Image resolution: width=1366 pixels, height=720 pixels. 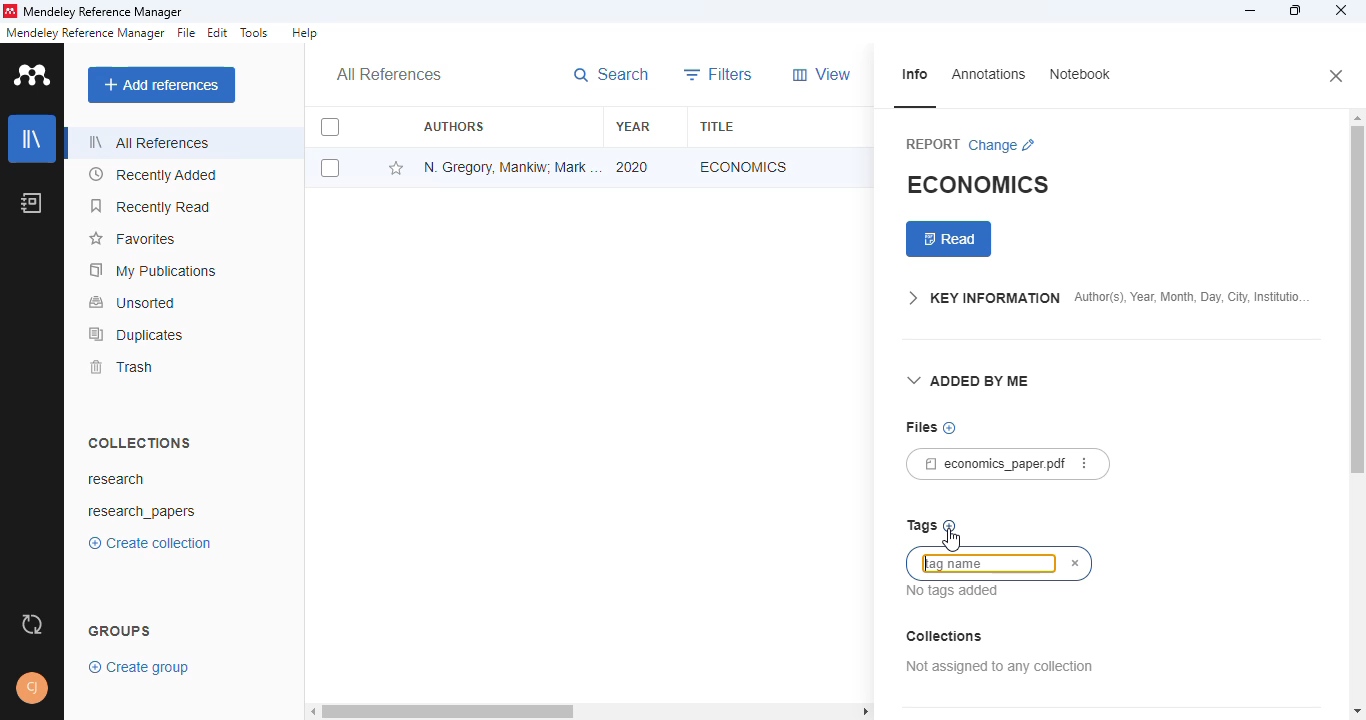 I want to click on view, so click(x=821, y=74).